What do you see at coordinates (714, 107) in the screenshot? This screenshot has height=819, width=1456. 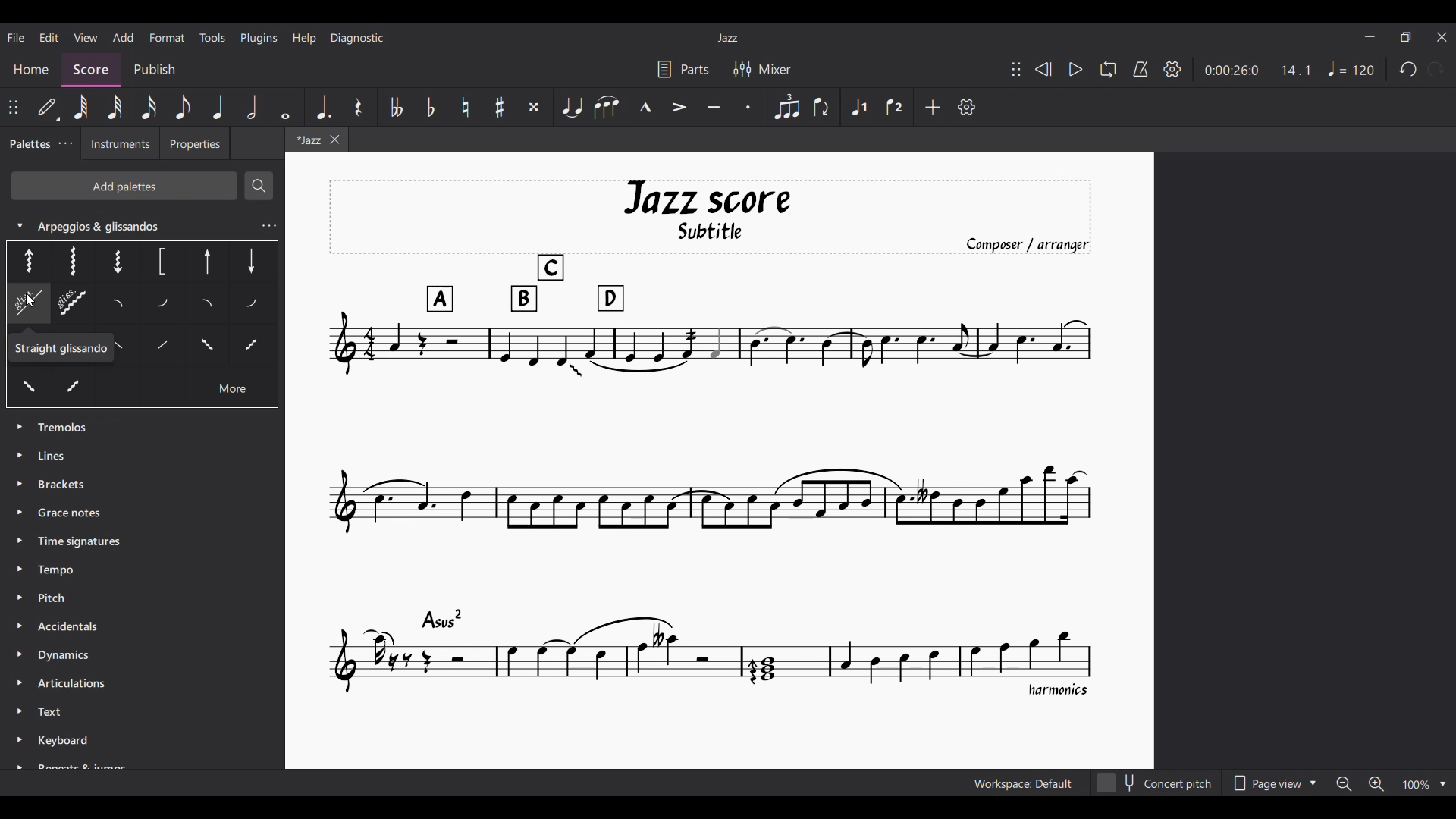 I see `Tenuto` at bounding box center [714, 107].